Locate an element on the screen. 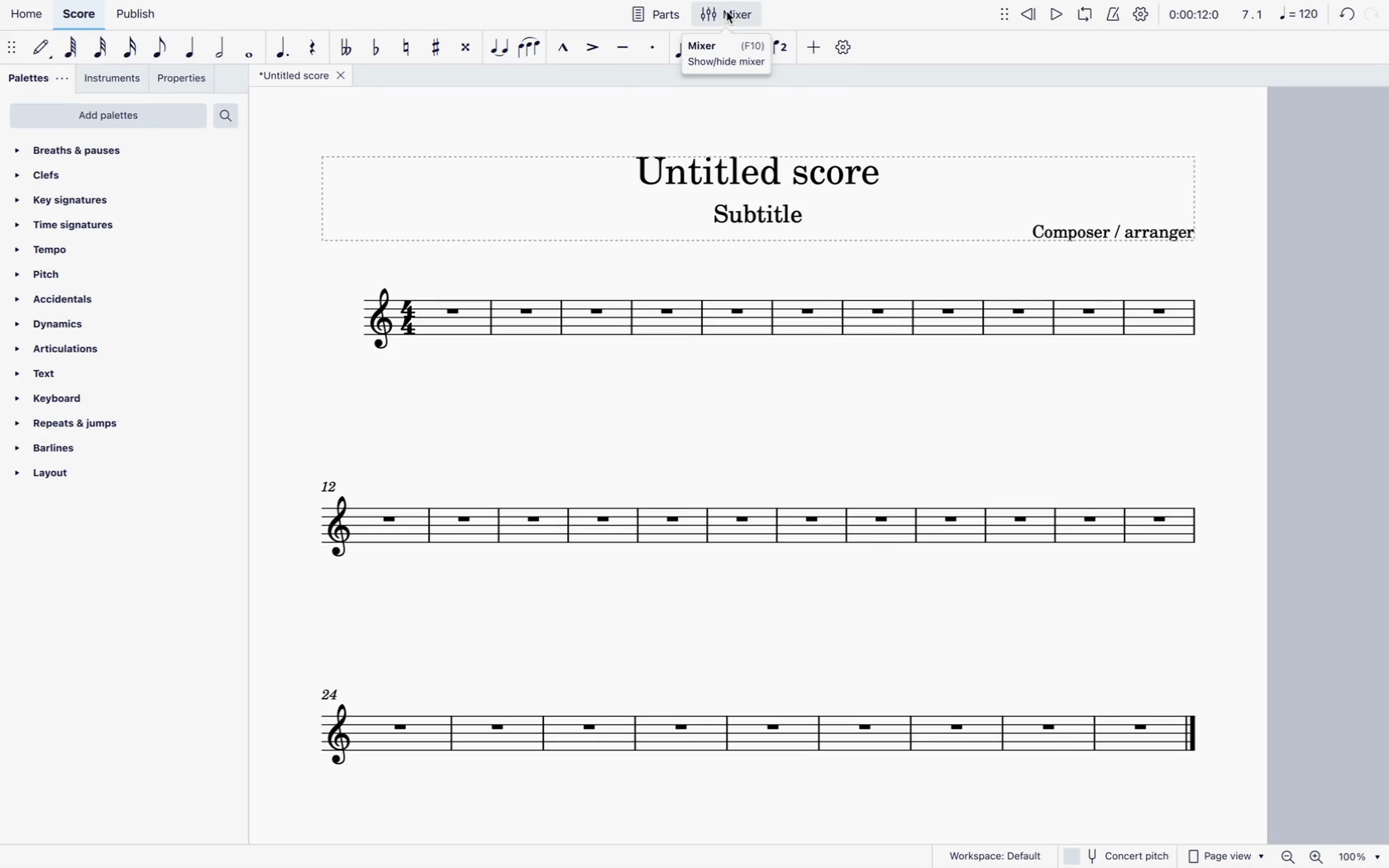 The height and width of the screenshot is (868, 1389). palettes is located at coordinates (36, 79).